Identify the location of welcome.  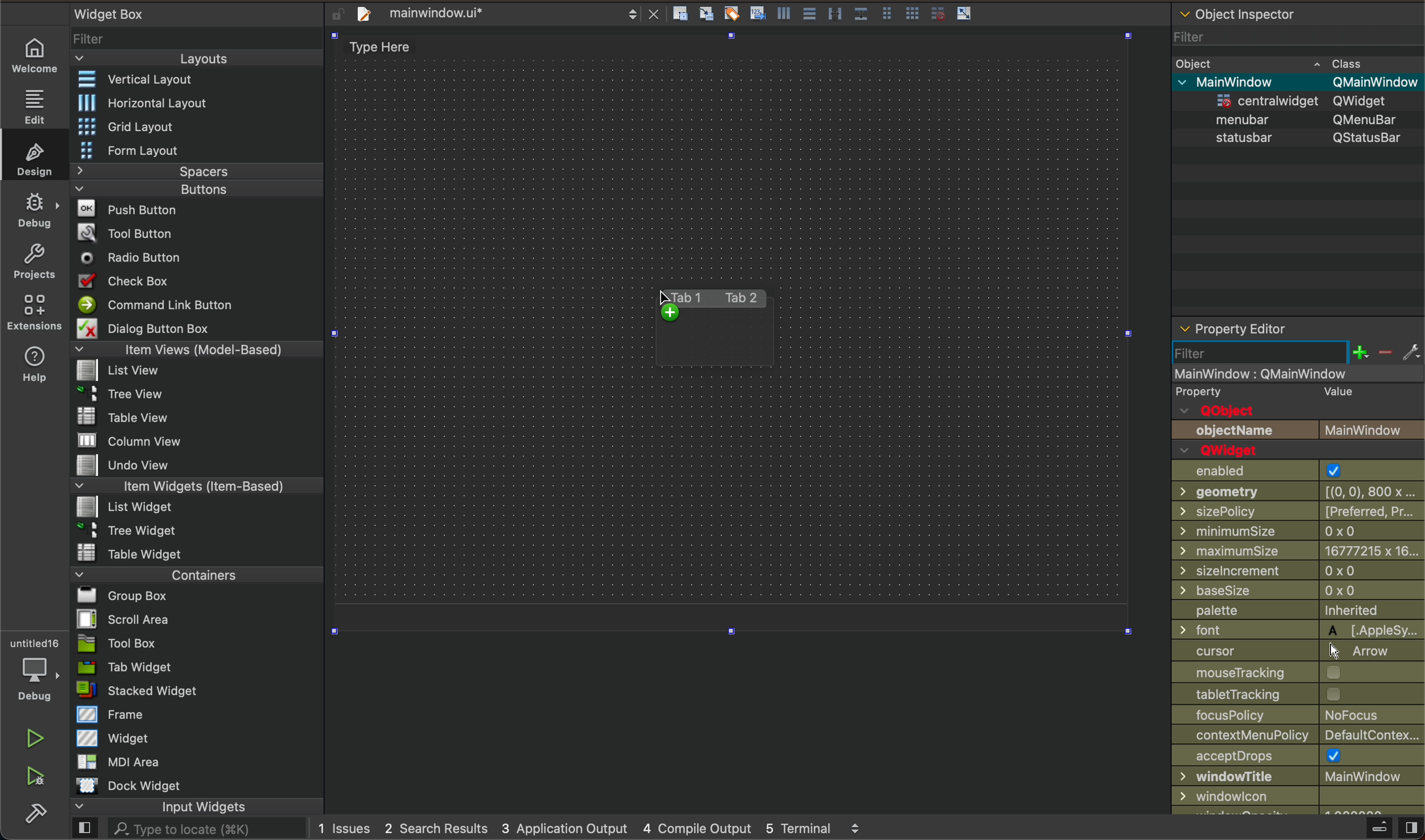
(32, 56).